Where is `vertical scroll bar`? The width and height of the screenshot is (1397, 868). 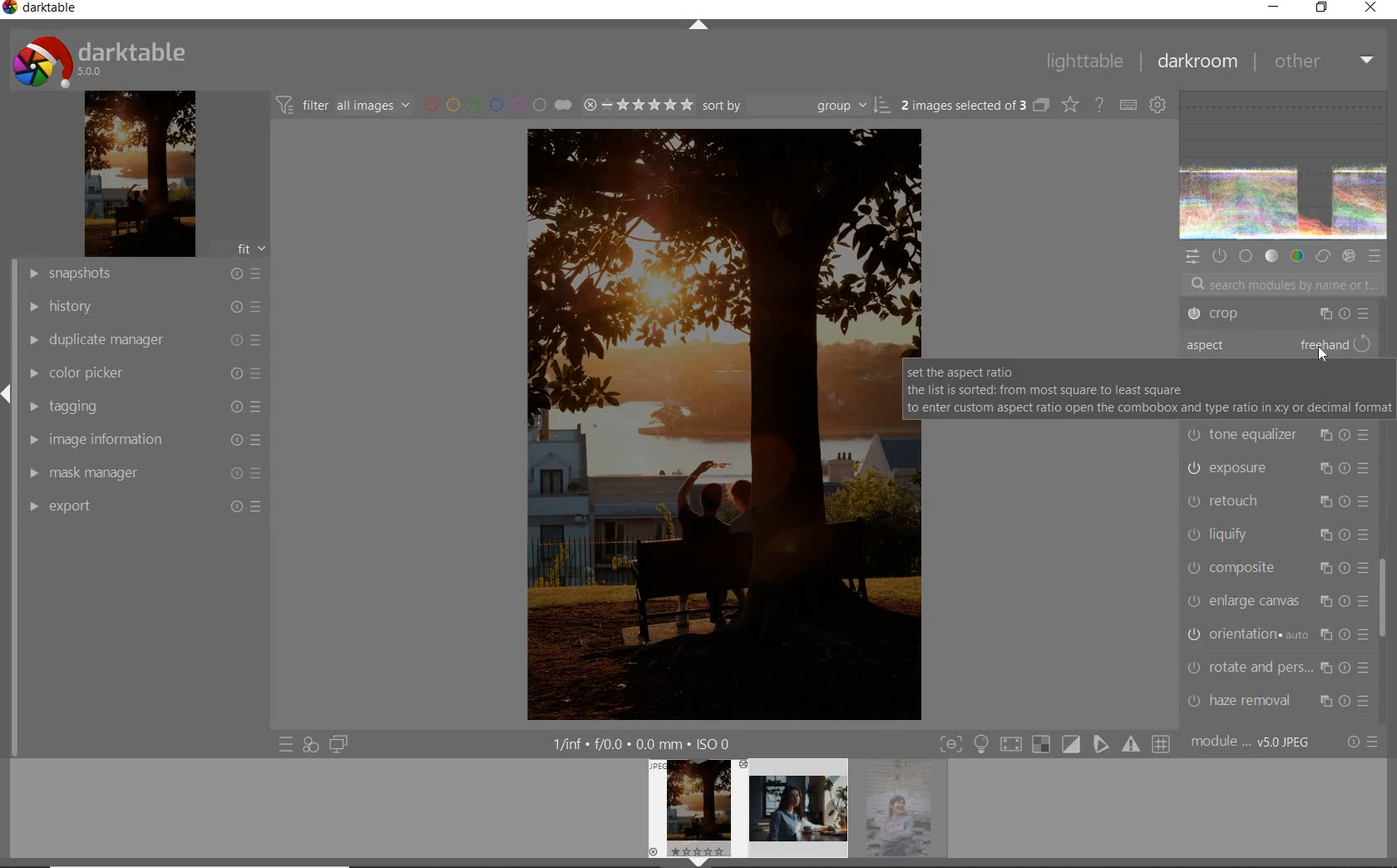 vertical scroll bar is located at coordinates (8, 583).